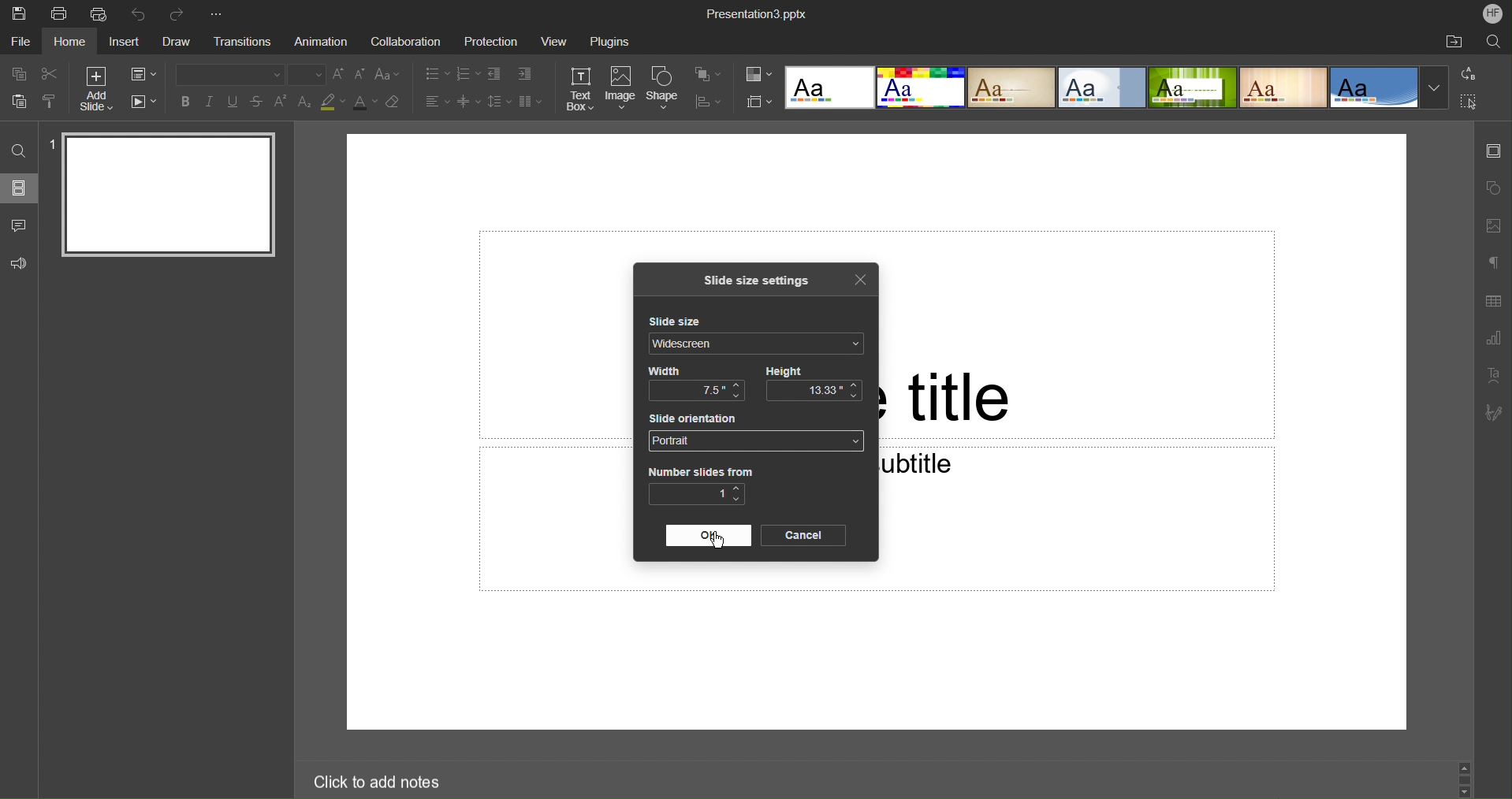  What do you see at coordinates (1492, 155) in the screenshot?
I see `Slide Settings` at bounding box center [1492, 155].